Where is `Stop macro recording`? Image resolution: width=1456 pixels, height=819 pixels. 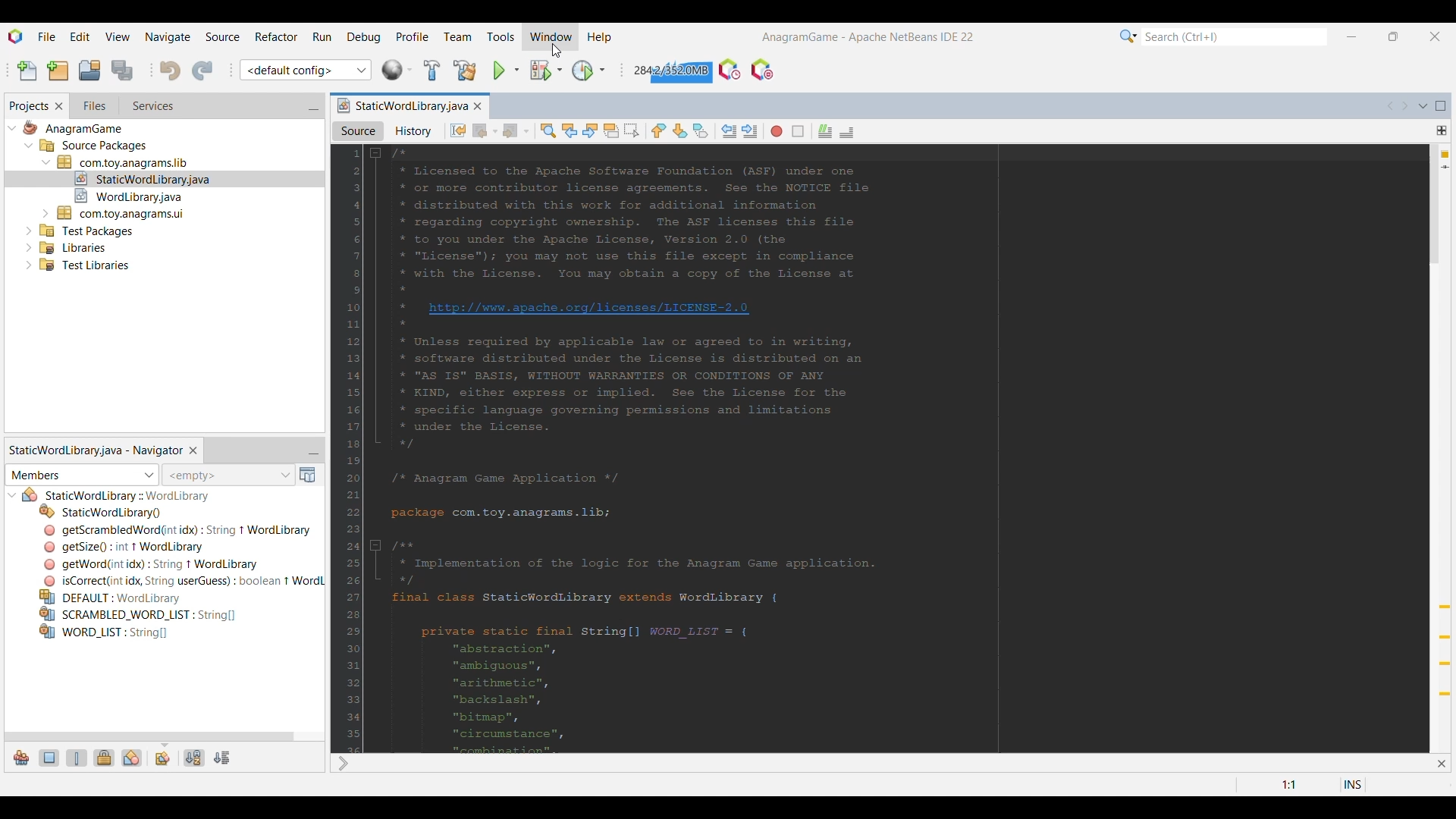
Stop macro recording is located at coordinates (799, 131).